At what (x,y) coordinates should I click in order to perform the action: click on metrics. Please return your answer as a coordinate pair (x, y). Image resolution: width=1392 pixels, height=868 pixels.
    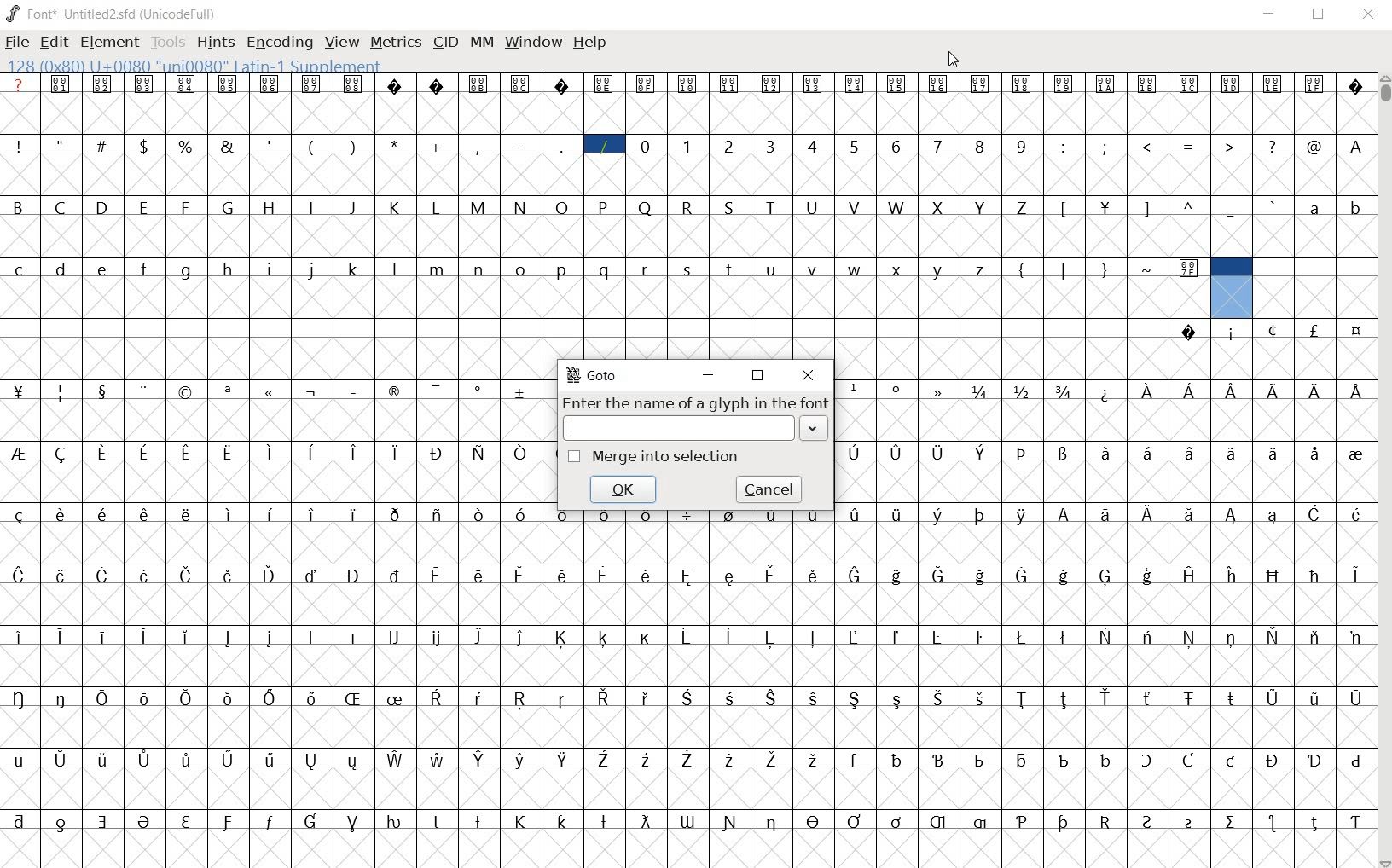
    Looking at the image, I should click on (397, 42).